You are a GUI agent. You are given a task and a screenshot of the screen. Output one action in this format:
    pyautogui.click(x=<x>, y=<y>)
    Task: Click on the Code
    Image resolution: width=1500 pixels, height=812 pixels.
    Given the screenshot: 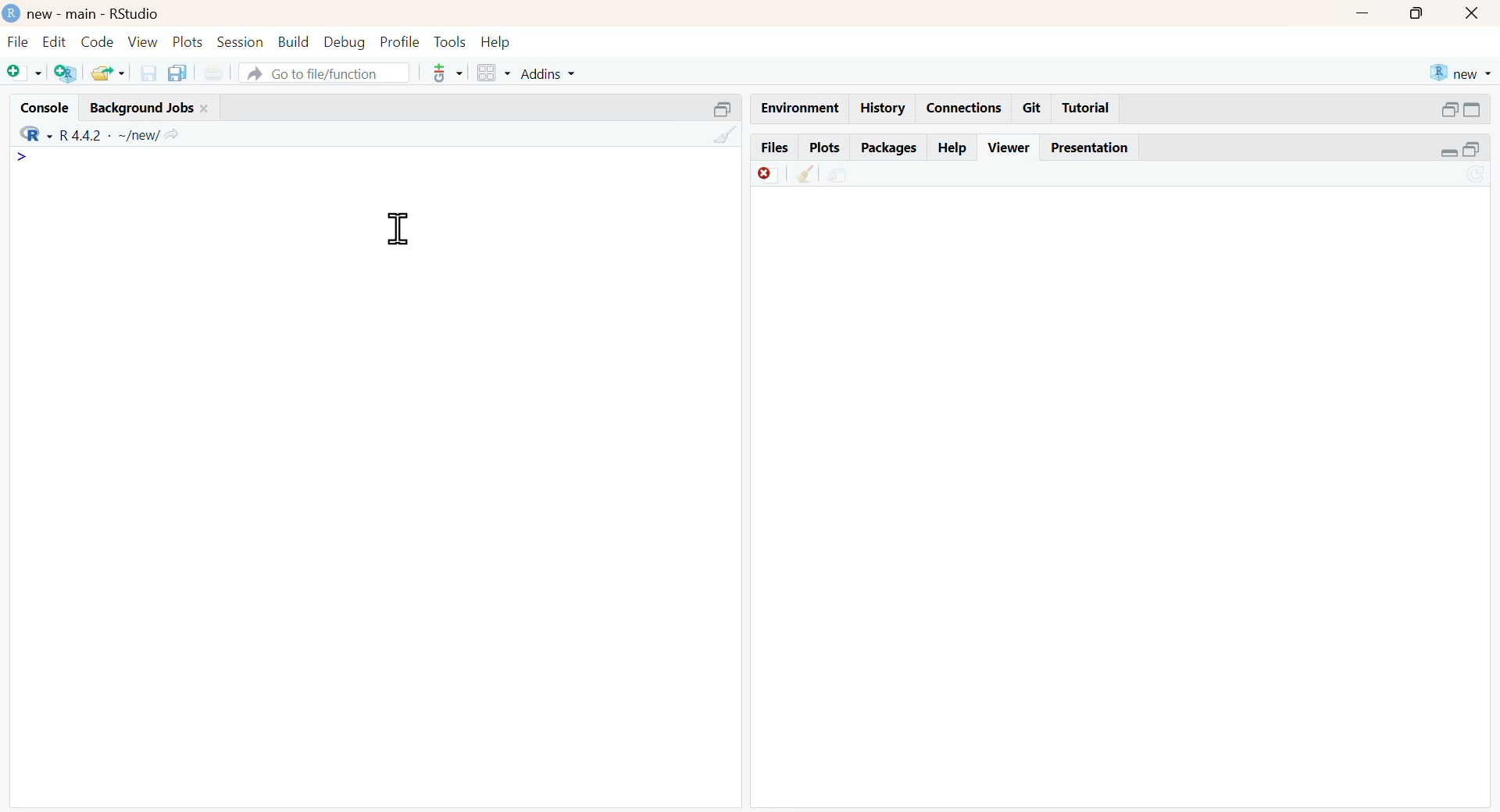 What is the action you would take?
    pyautogui.click(x=95, y=41)
    